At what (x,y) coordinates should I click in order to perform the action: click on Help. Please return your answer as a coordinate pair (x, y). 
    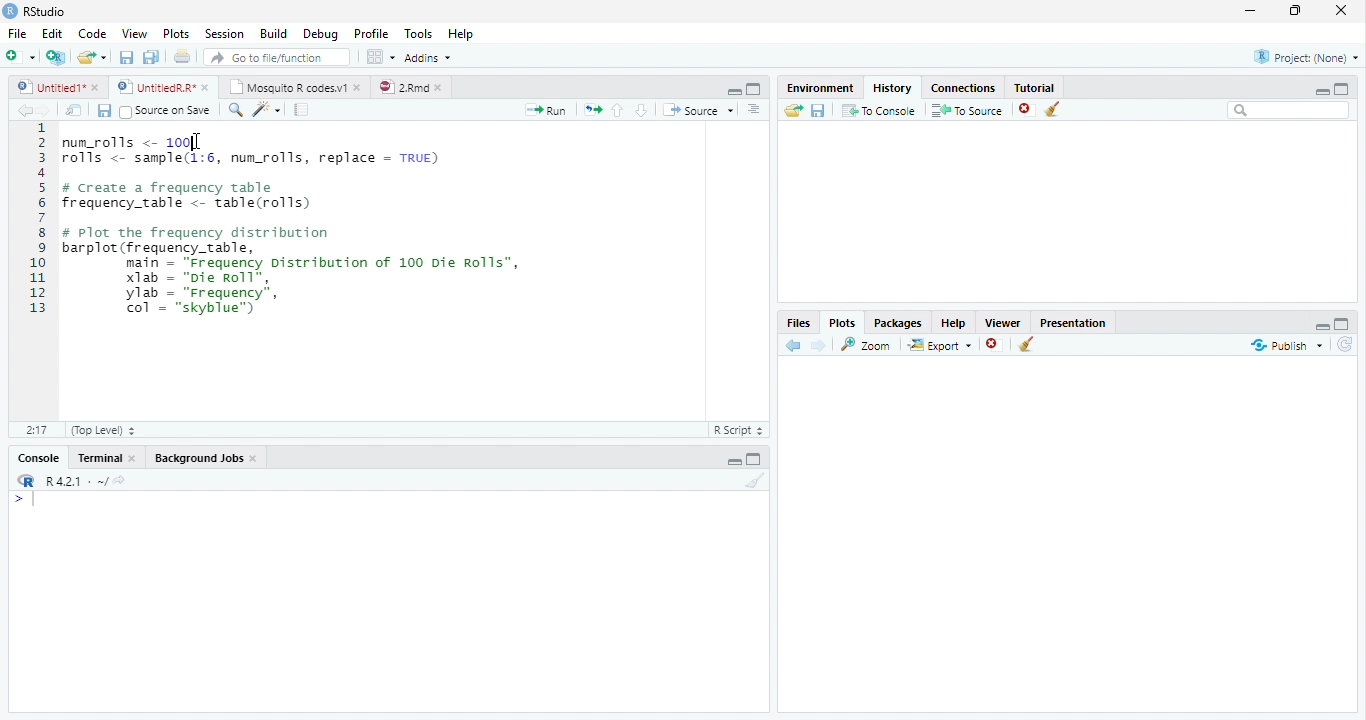
    Looking at the image, I should click on (954, 322).